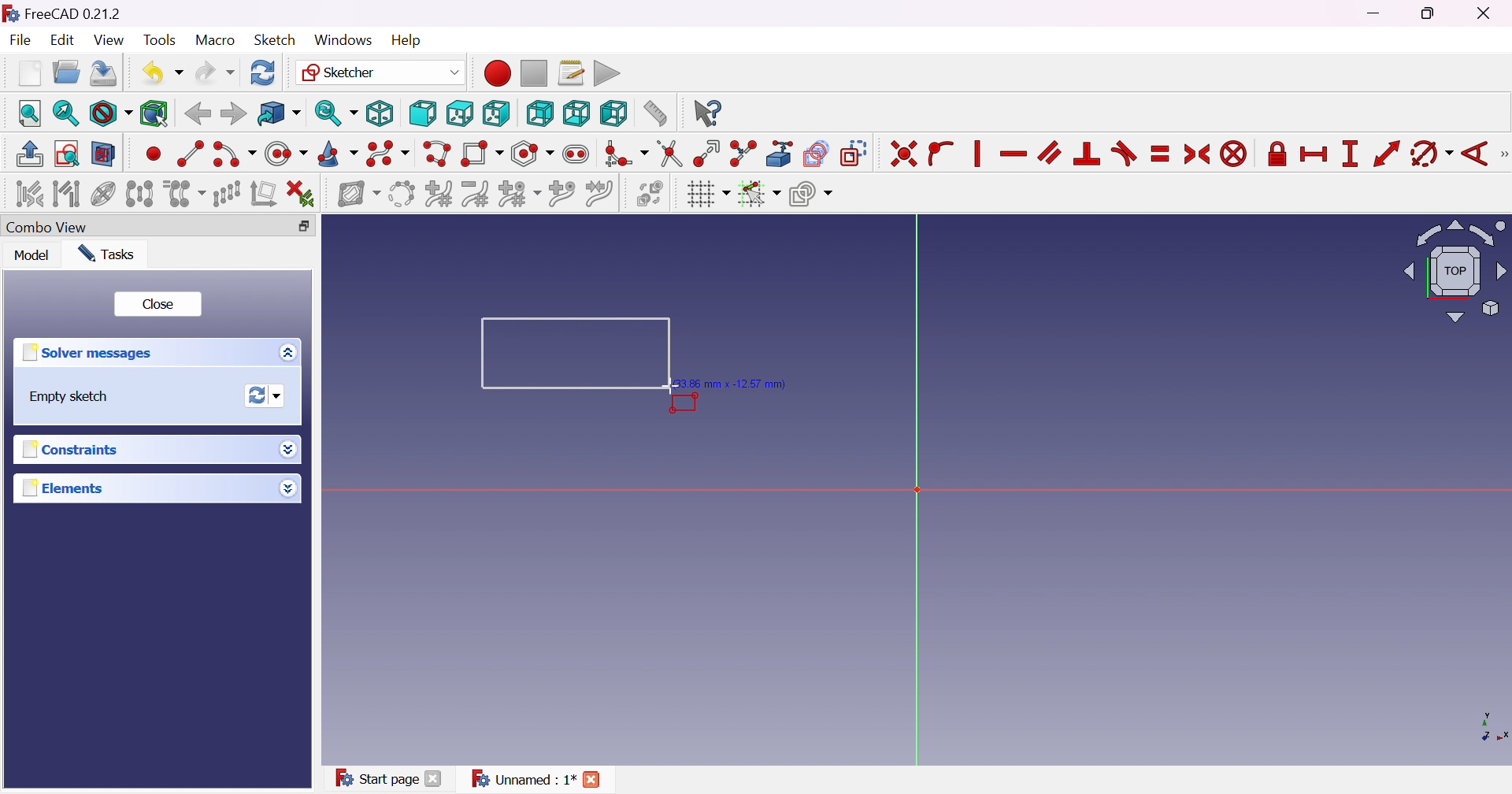  Describe the element at coordinates (65, 72) in the screenshot. I see `Open` at that location.